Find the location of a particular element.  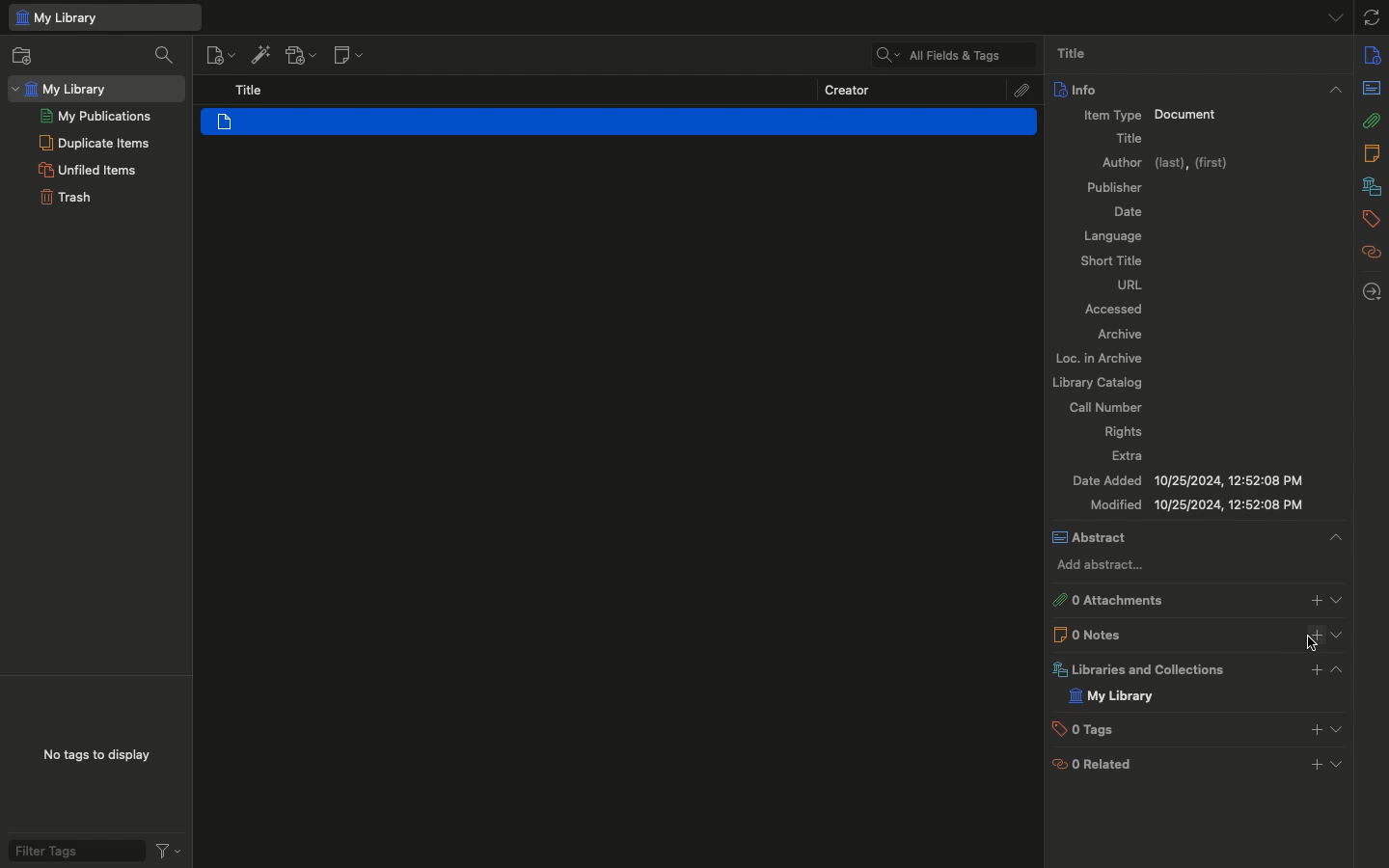

New note is located at coordinates (351, 54).